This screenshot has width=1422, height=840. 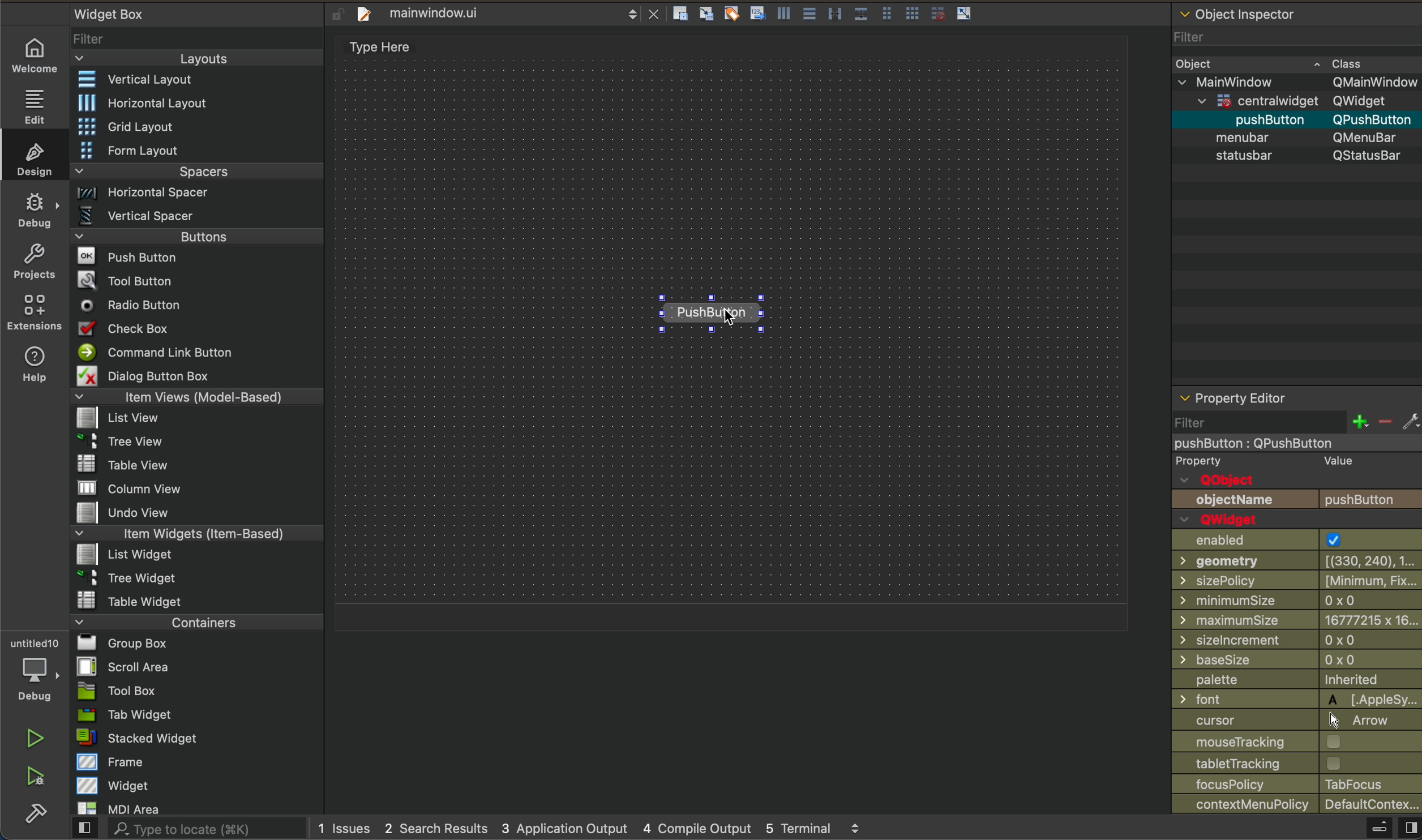 I want to click on checkbox, so click(x=198, y=330).